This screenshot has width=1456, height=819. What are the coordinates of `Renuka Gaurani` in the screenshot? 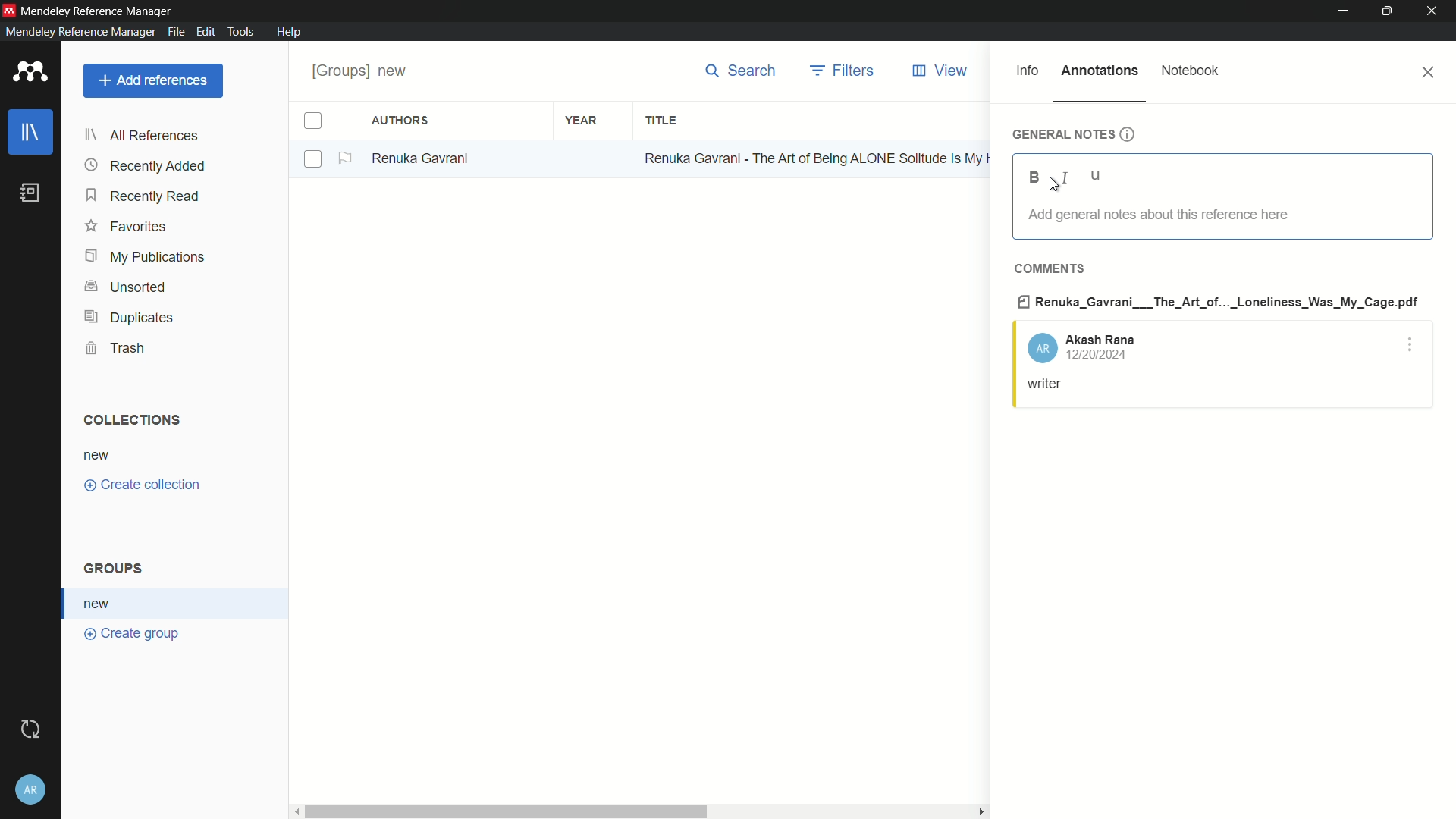 It's located at (426, 158).